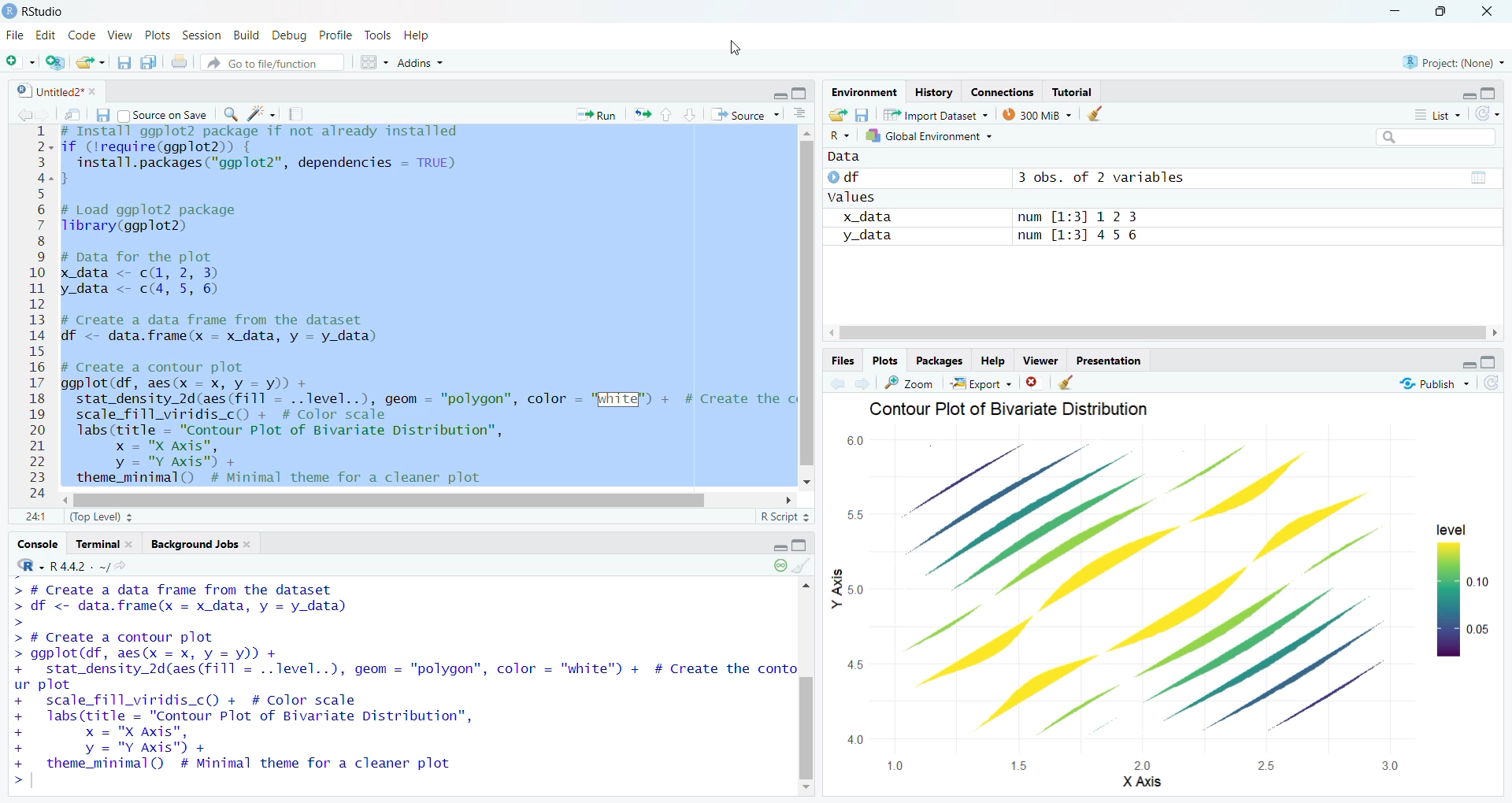  Describe the element at coordinates (1464, 93) in the screenshot. I see `hide r script` at that location.